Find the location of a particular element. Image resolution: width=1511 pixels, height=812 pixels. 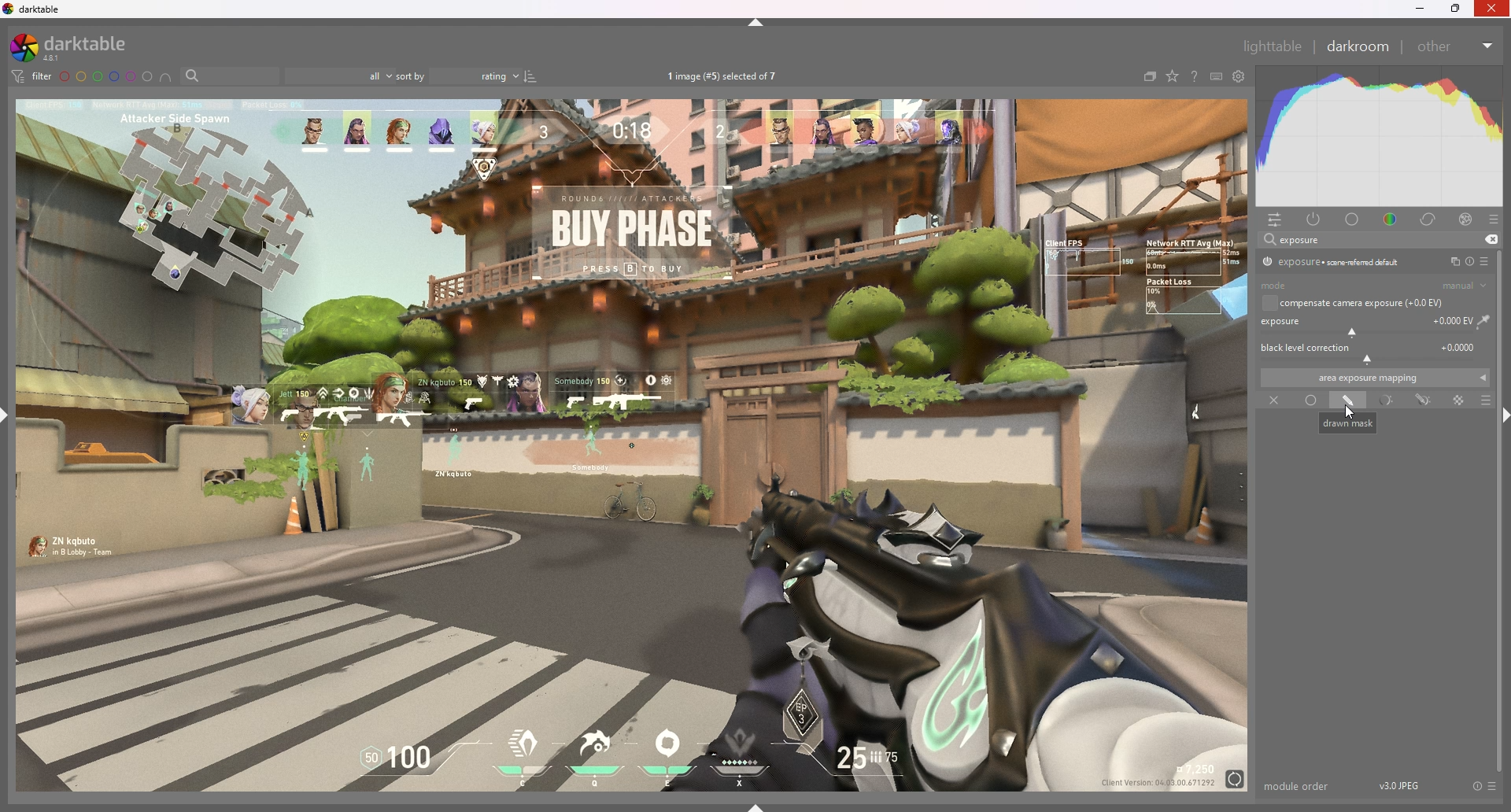

module order is located at coordinates (1298, 786).